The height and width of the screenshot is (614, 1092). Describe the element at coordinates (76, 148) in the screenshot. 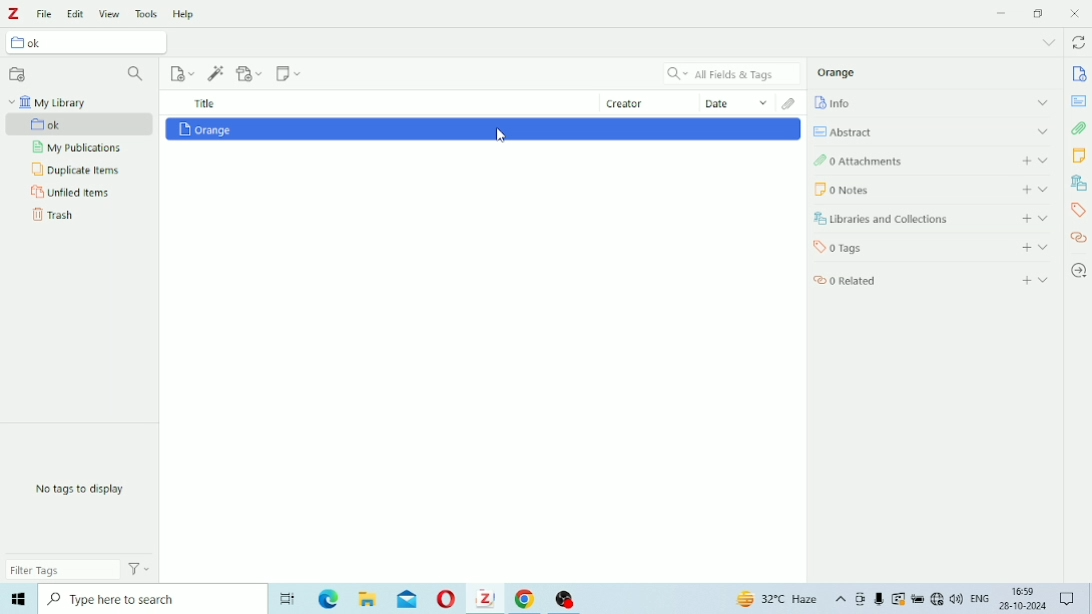

I see `My Publications` at that location.